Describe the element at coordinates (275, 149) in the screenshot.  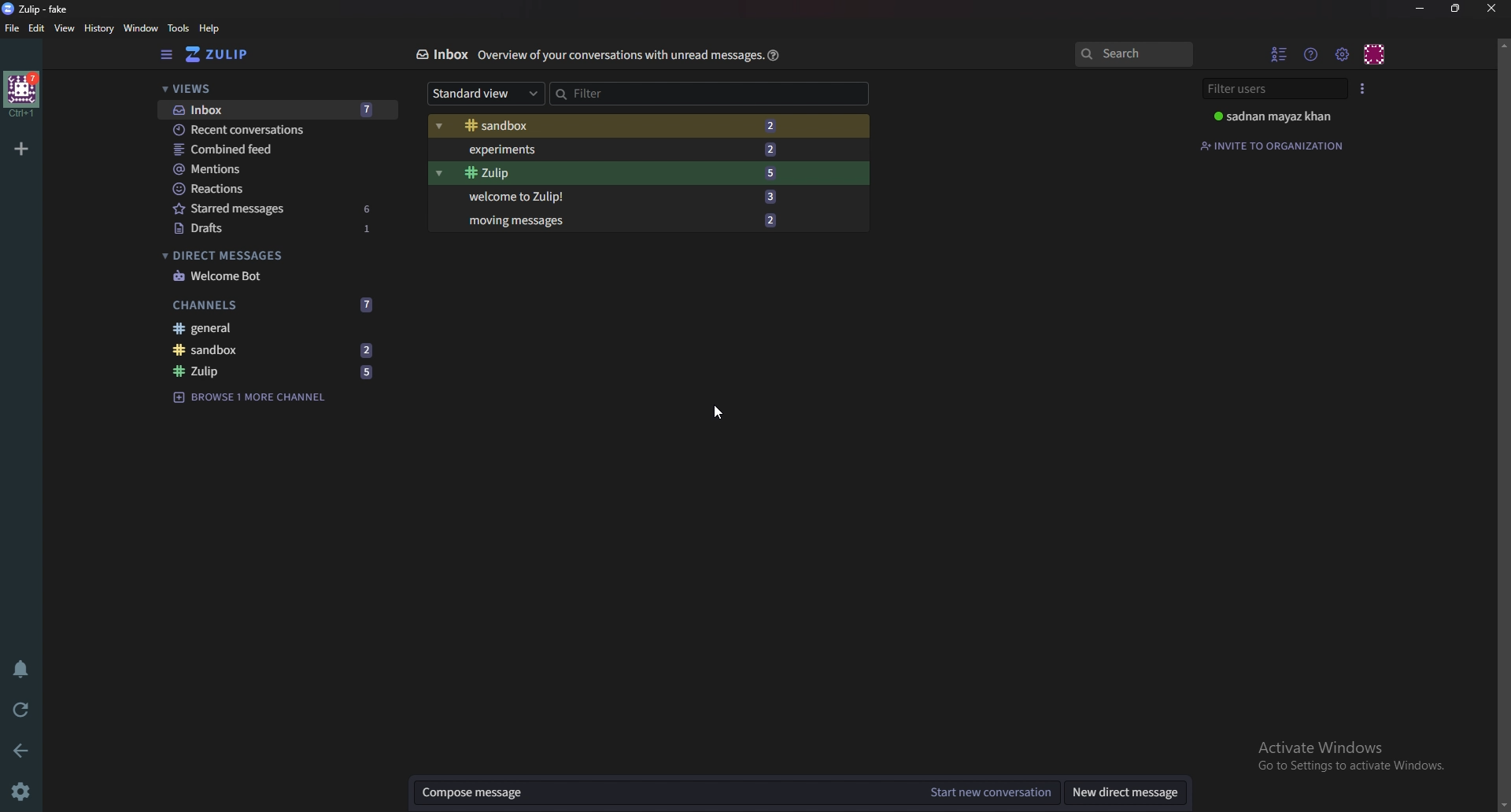
I see `Combined feed` at that location.